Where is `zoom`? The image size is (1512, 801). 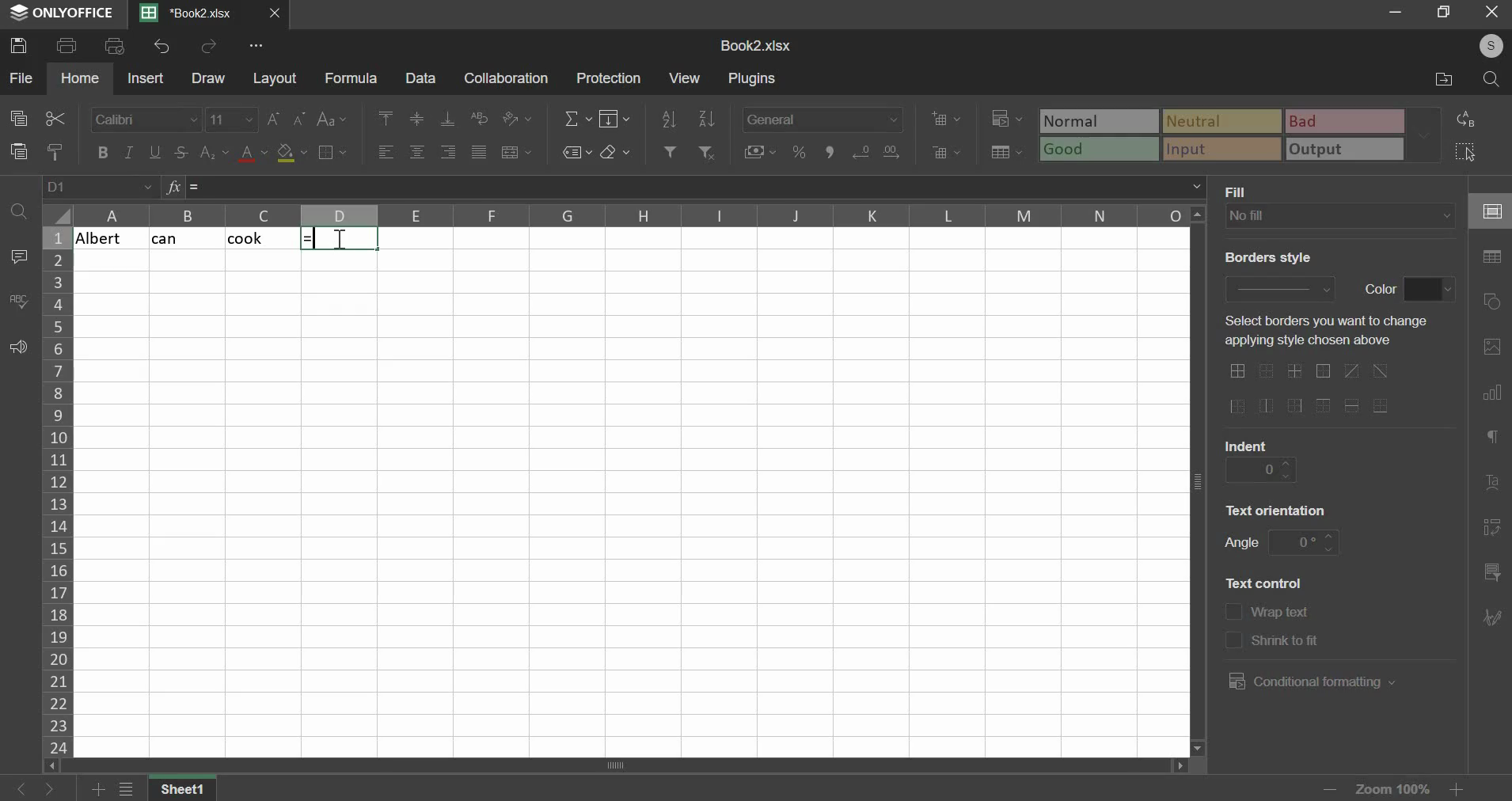
zoom is located at coordinates (1391, 787).